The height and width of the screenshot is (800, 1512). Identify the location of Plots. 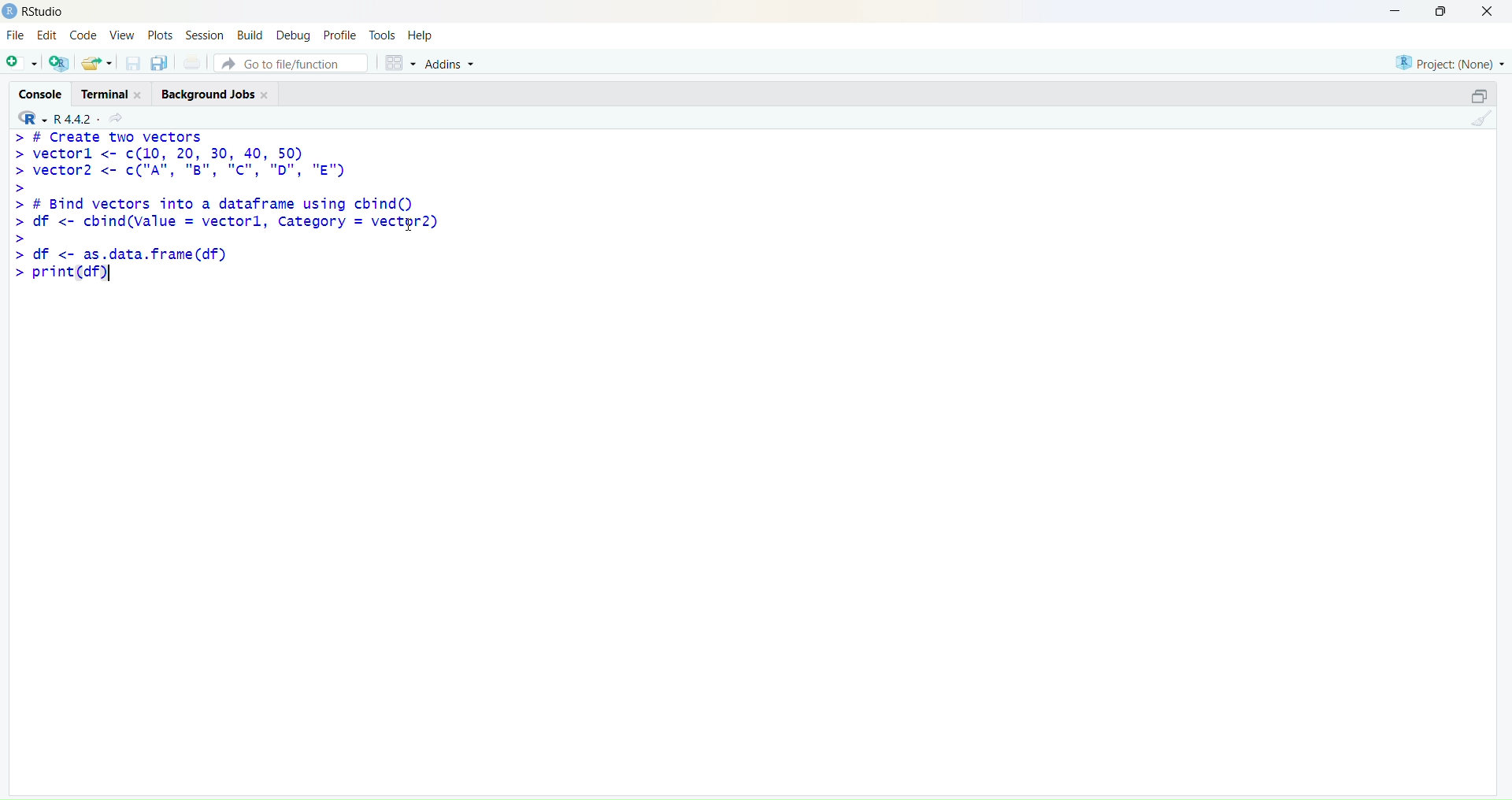
(160, 35).